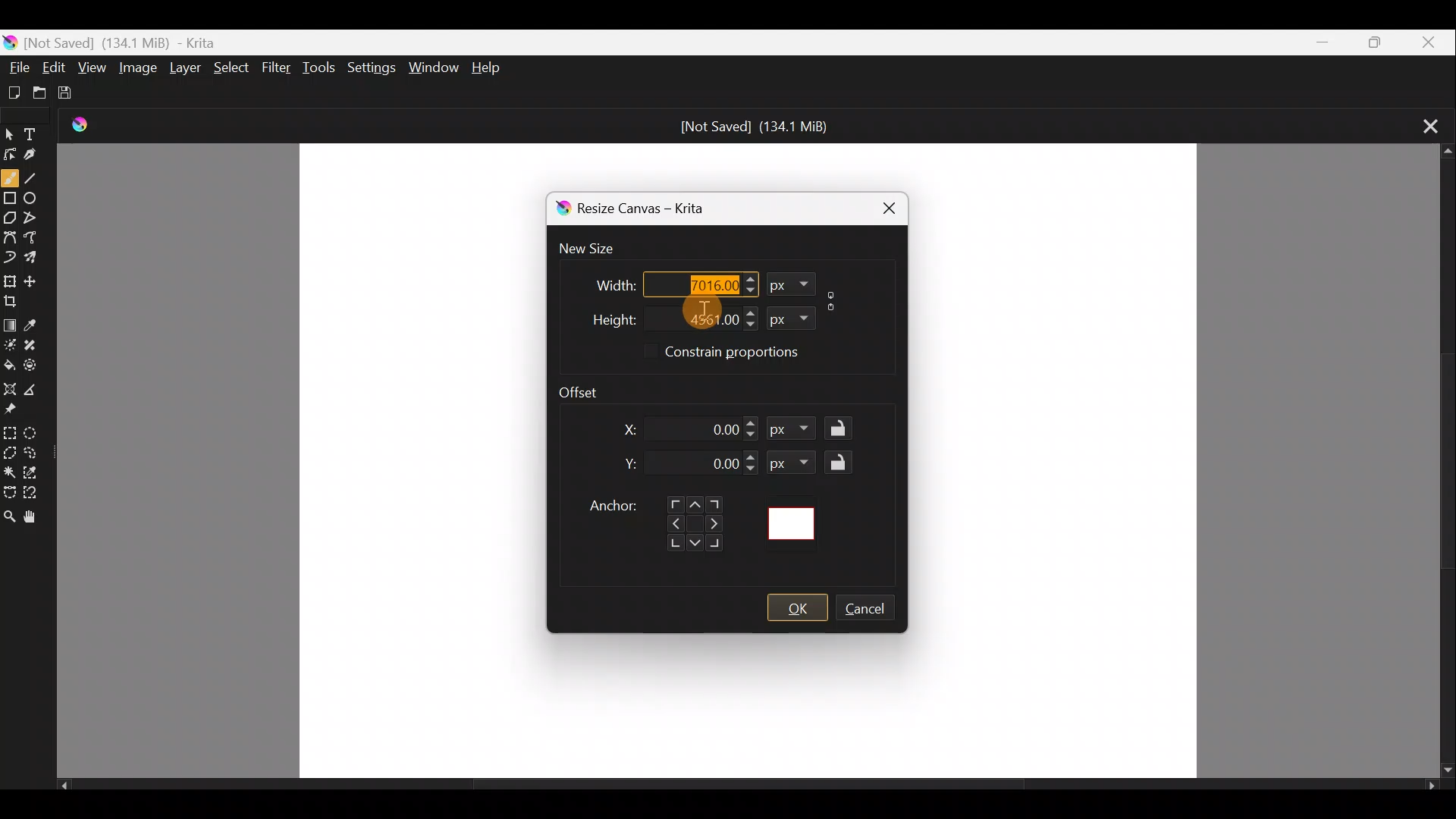  Describe the element at coordinates (9, 386) in the screenshot. I see `Assistant tool` at that location.